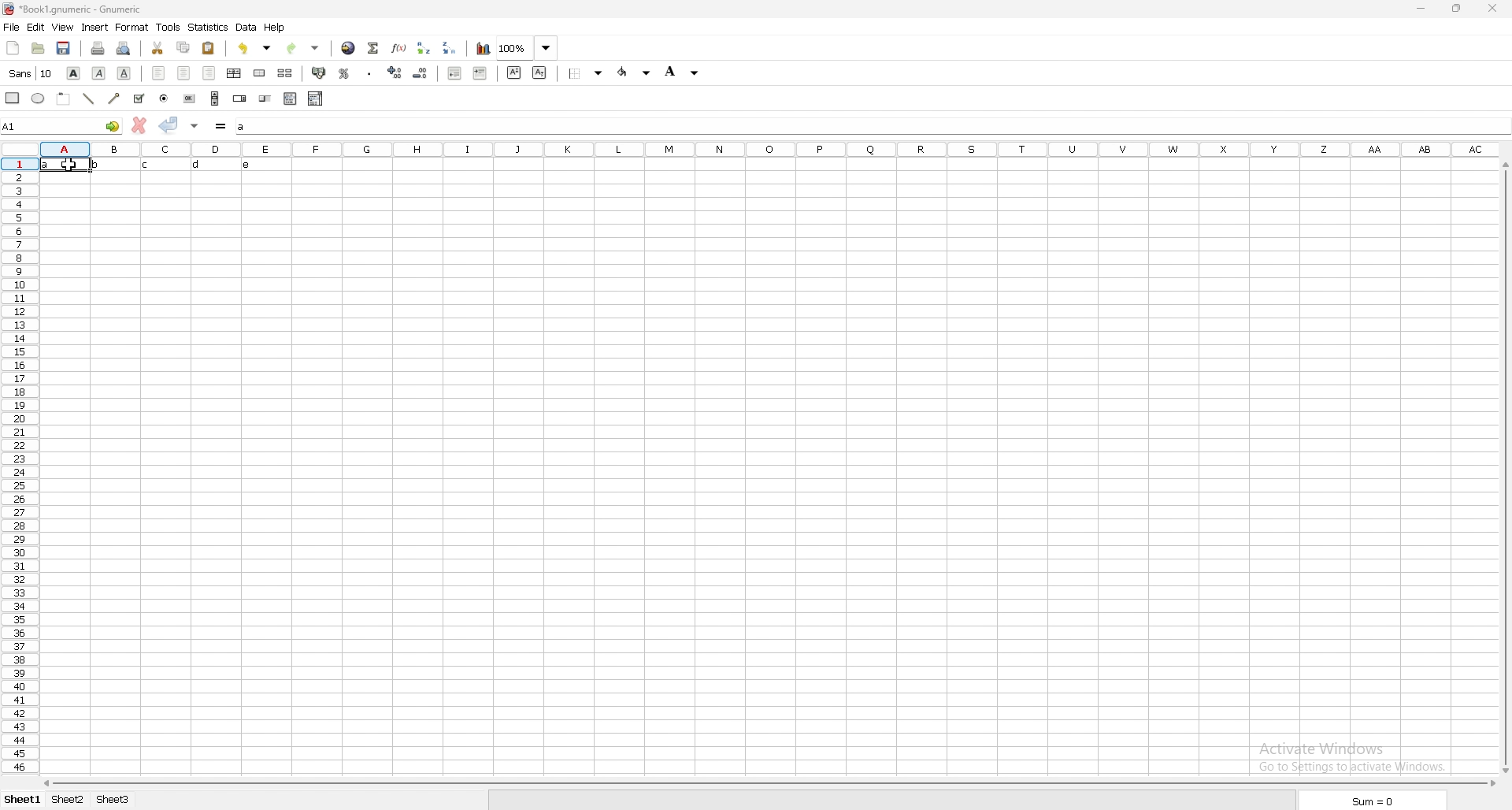 The width and height of the screenshot is (1512, 810). What do you see at coordinates (285, 72) in the screenshot?
I see `split merged cells` at bounding box center [285, 72].